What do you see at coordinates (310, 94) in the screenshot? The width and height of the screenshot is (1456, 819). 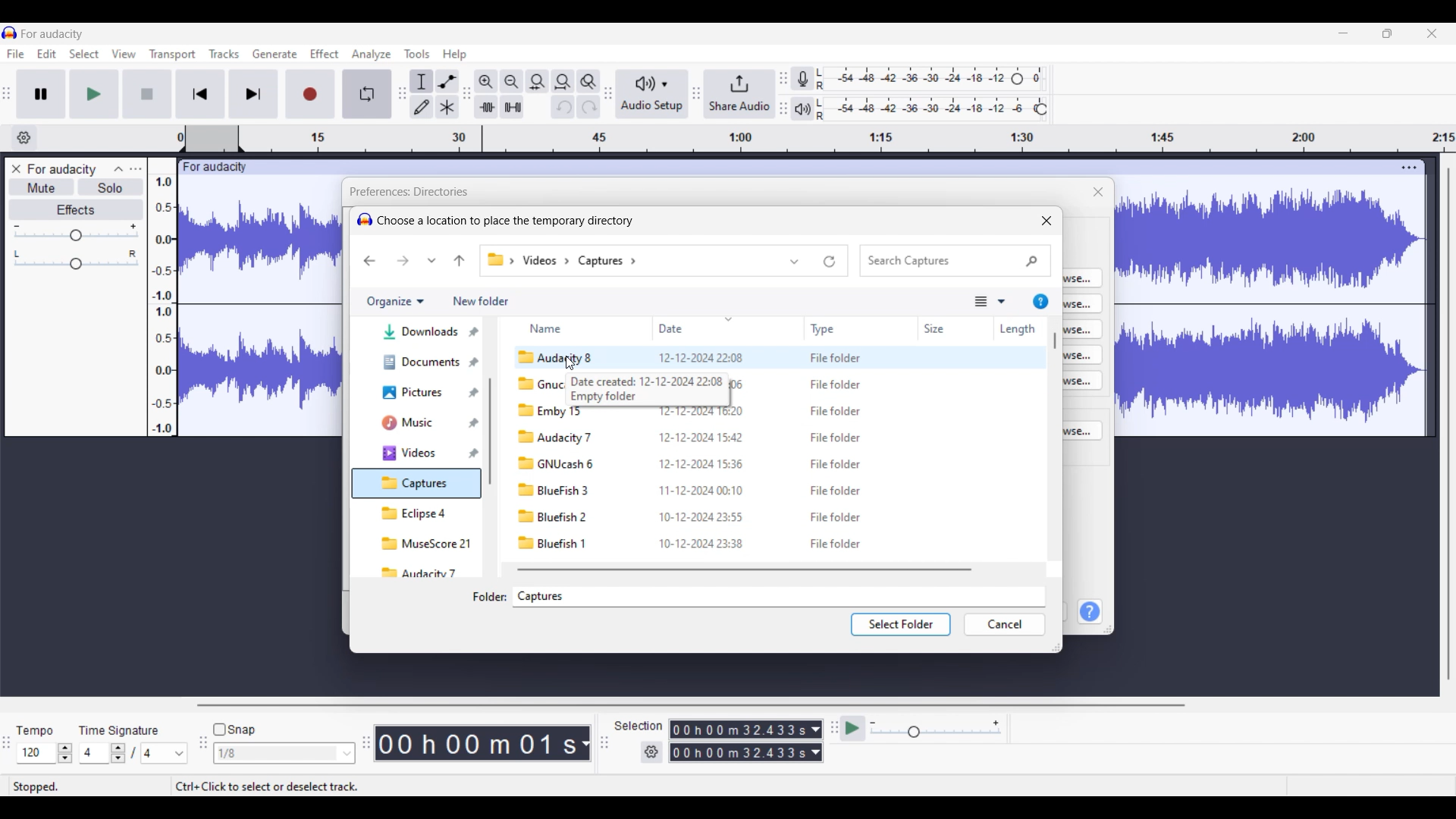 I see `Record/Record new track` at bounding box center [310, 94].